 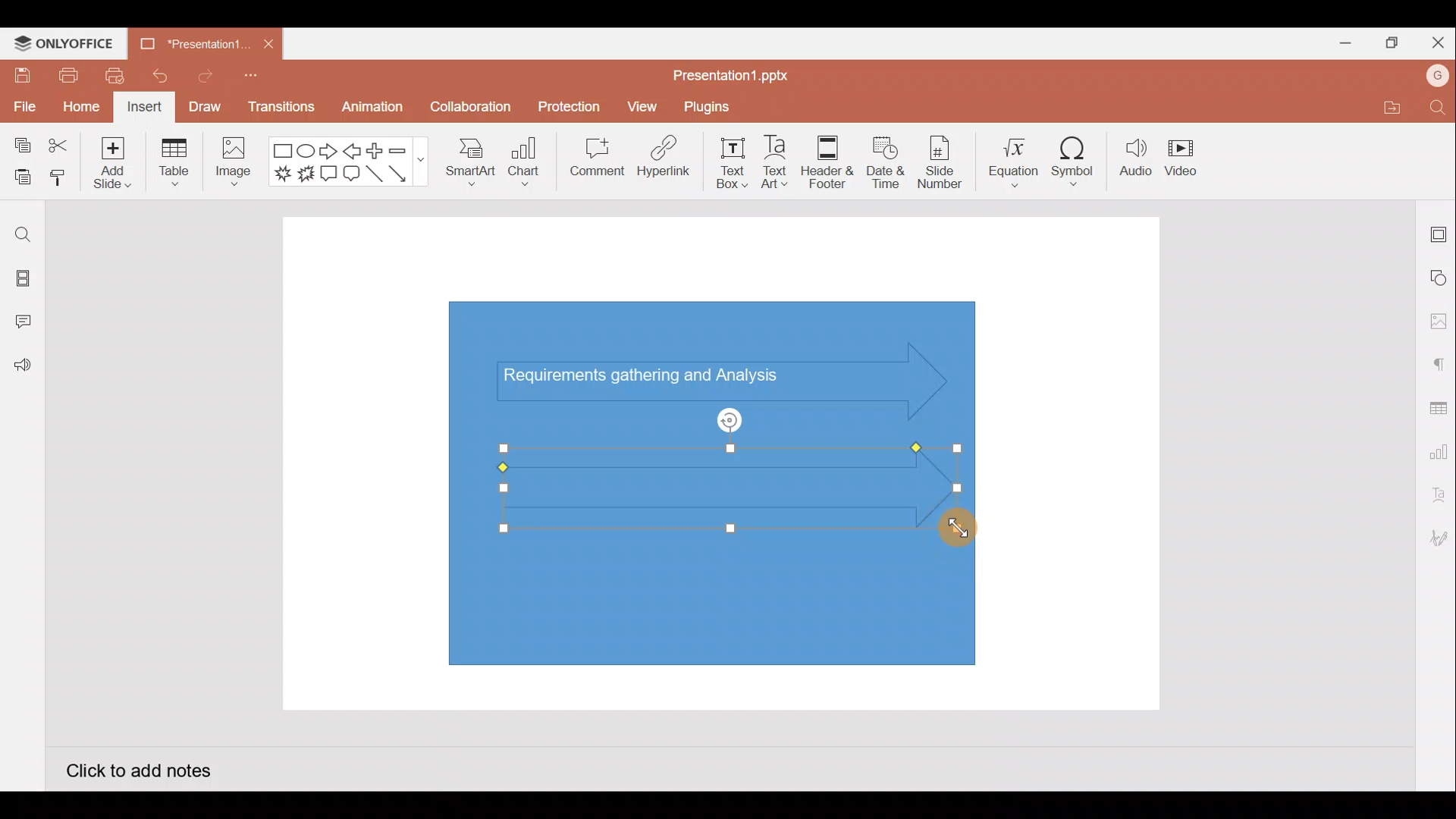 I want to click on Plugins, so click(x=717, y=105).